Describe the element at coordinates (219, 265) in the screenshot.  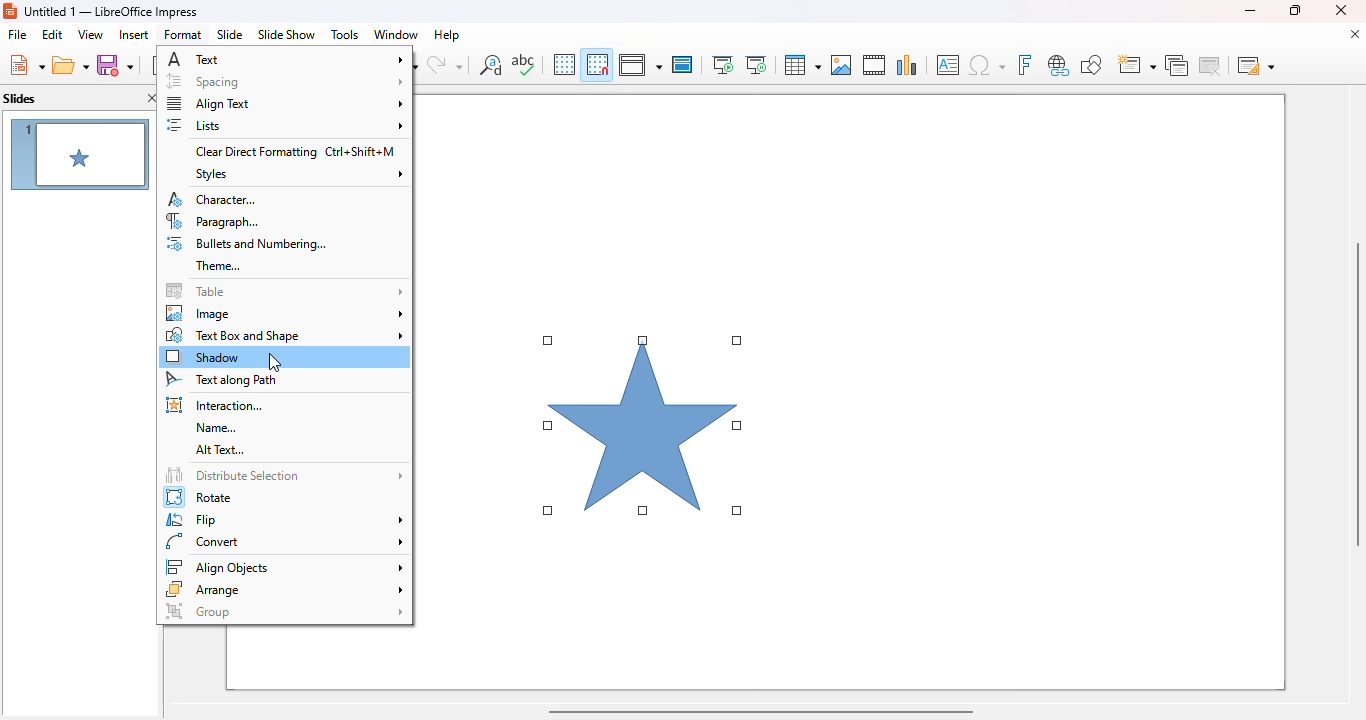
I see `theme` at that location.